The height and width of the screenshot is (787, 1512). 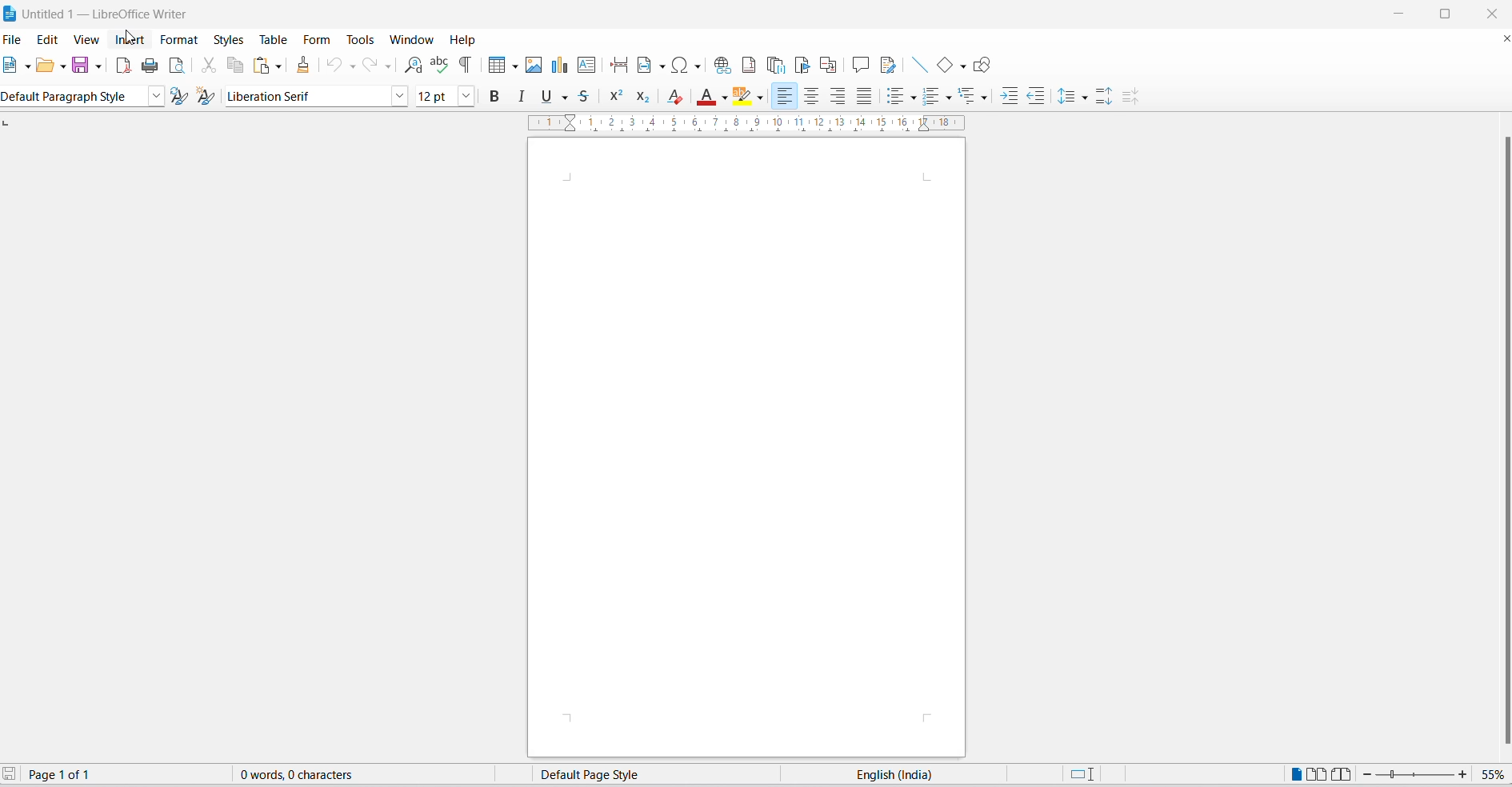 I want to click on export as pdf, so click(x=122, y=69).